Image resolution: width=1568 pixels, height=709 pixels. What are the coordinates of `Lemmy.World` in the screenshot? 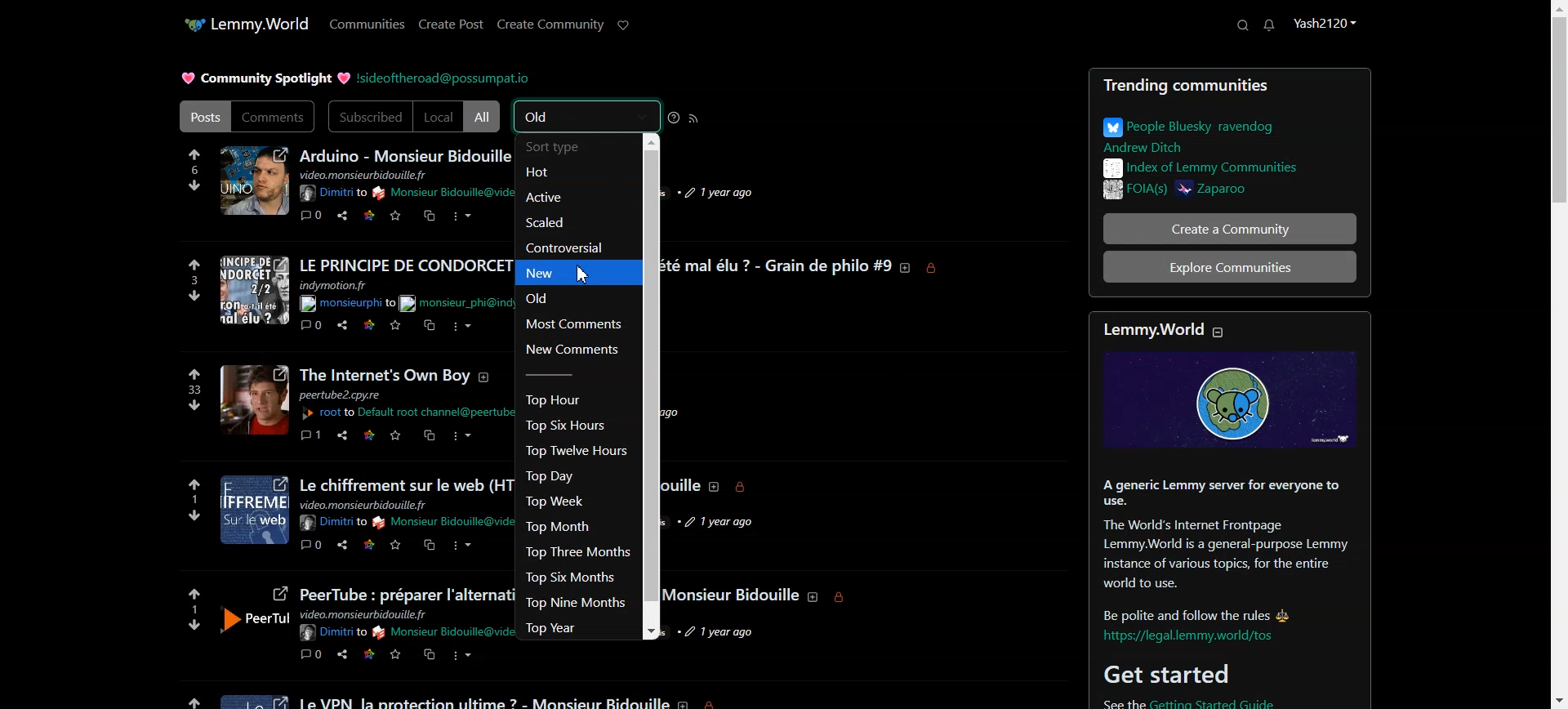 It's located at (1148, 330).